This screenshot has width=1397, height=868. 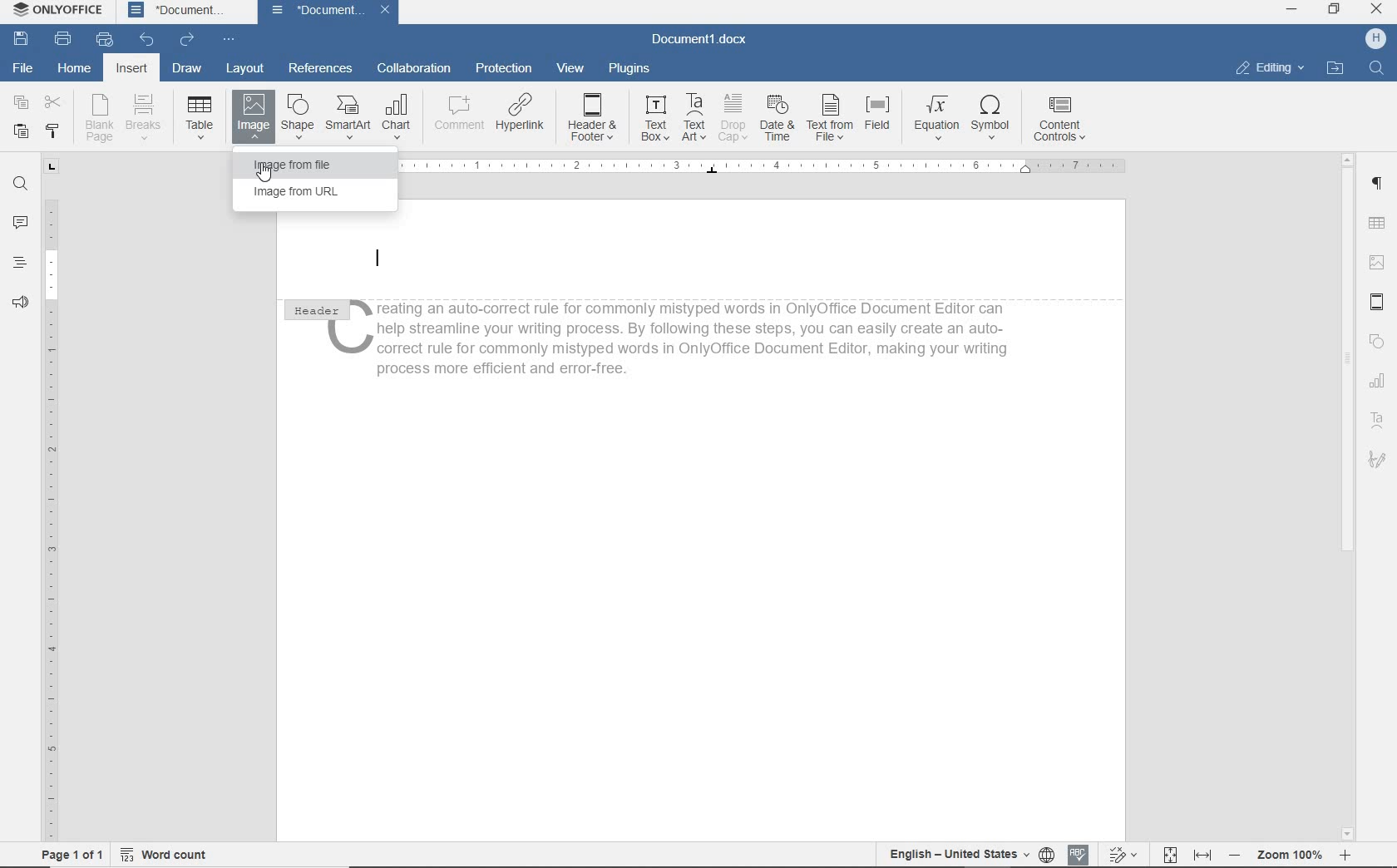 What do you see at coordinates (19, 184) in the screenshot?
I see `FIND` at bounding box center [19, 184].